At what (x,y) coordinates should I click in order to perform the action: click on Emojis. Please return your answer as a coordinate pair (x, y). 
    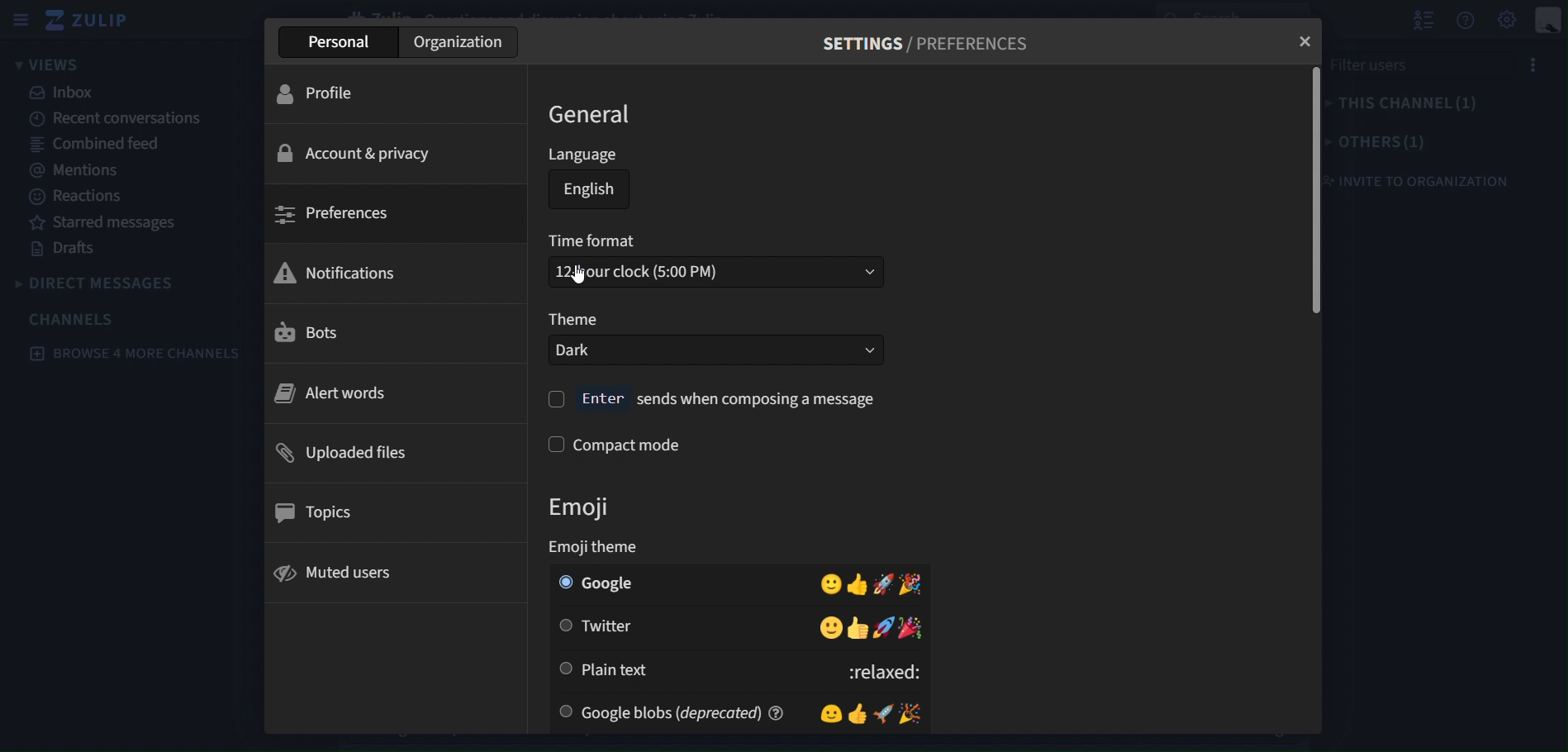
    Looking at the image, I should click on (879, 713).